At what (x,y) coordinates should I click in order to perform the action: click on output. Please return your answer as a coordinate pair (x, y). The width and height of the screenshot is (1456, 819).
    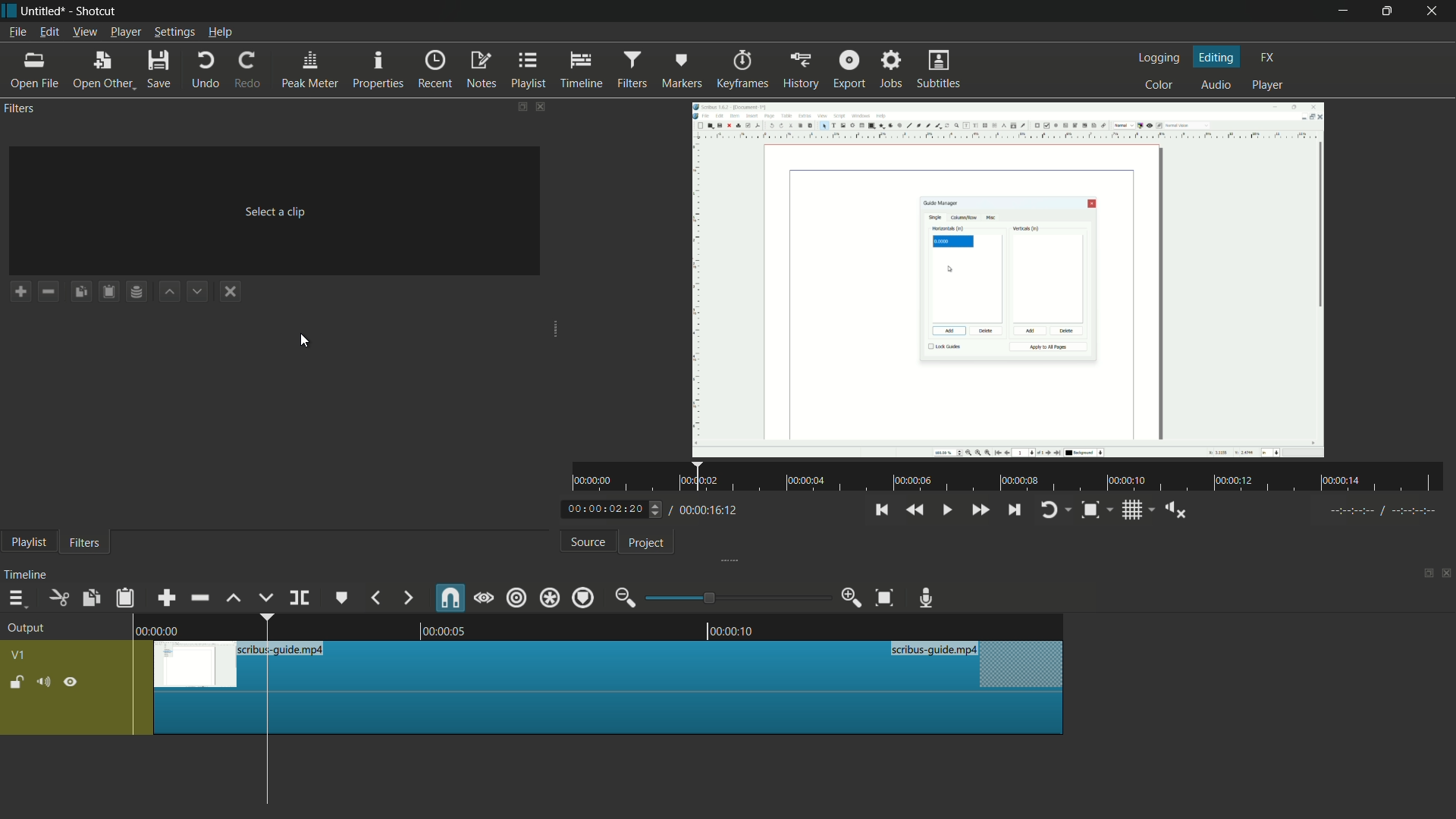
    Looking at the image, I should click on (26, 629).